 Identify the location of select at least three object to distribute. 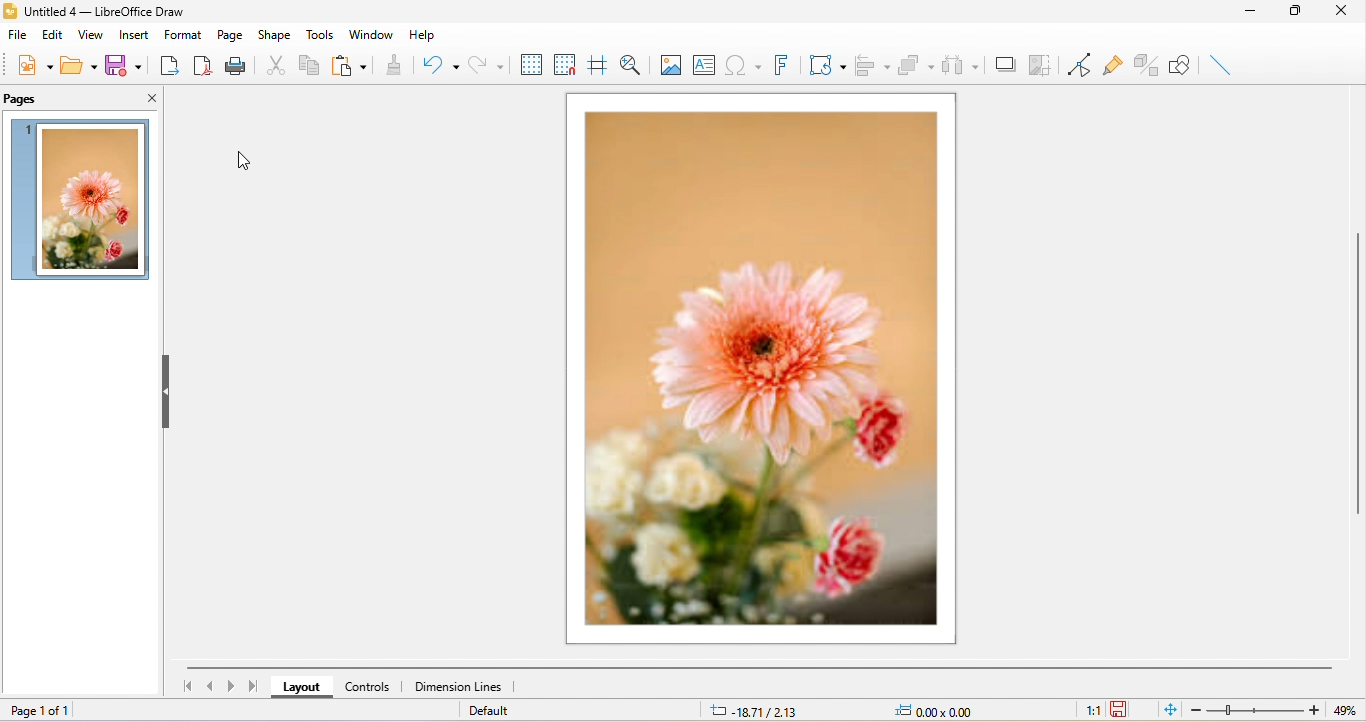
(963, 66).